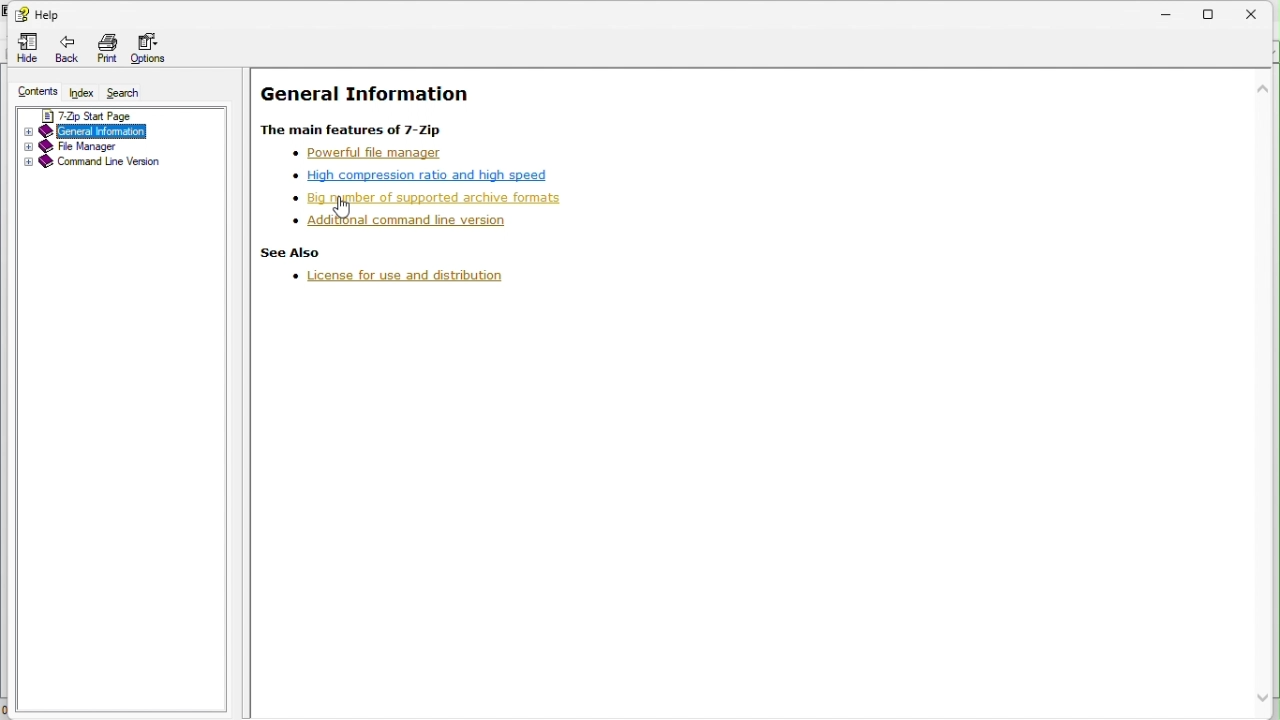  What do you see at coordinates (115, 147) in the screenshot?
I see `File manager` at bounding box center [115, 147].